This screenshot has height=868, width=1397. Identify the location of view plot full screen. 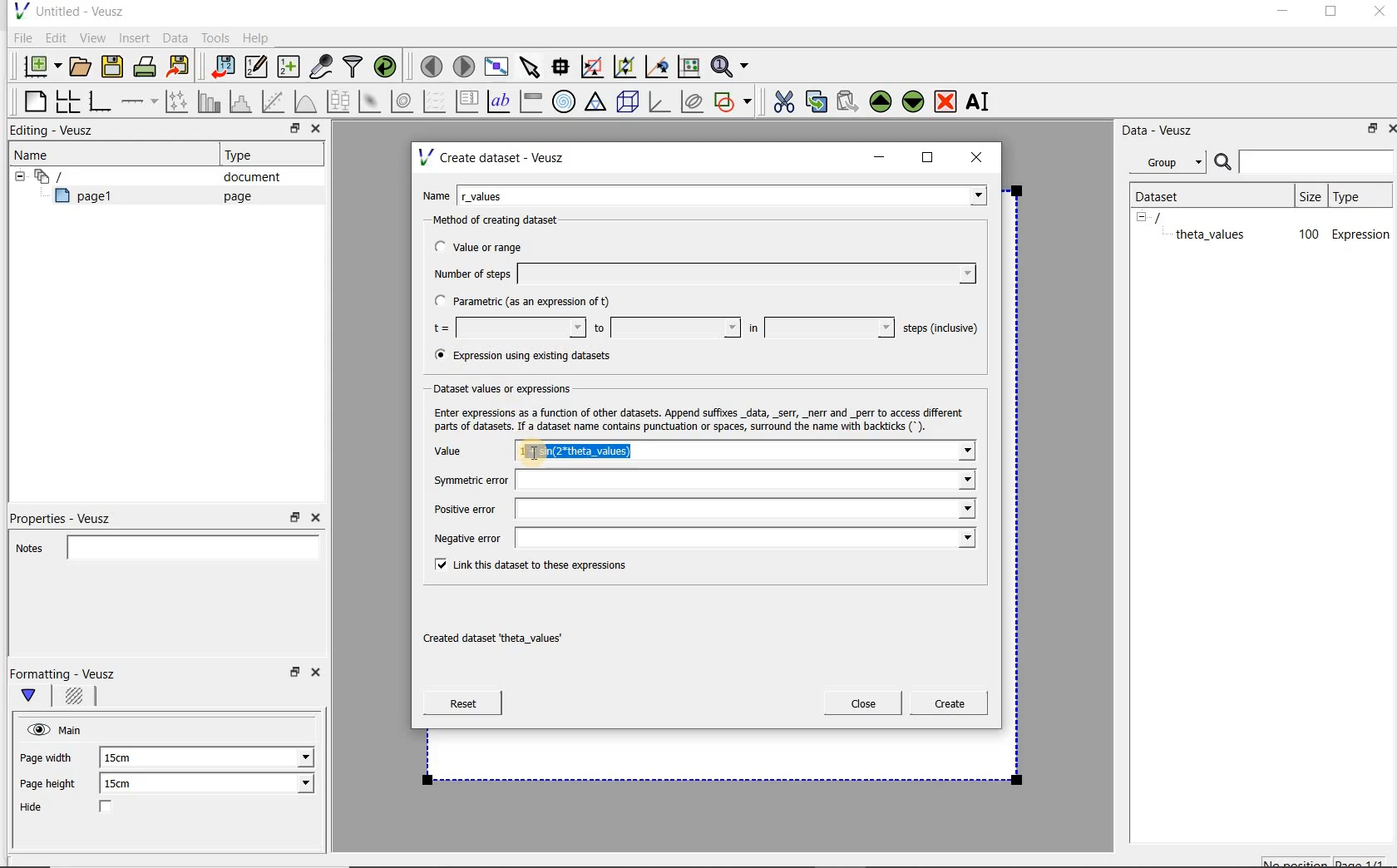
(495, 65).